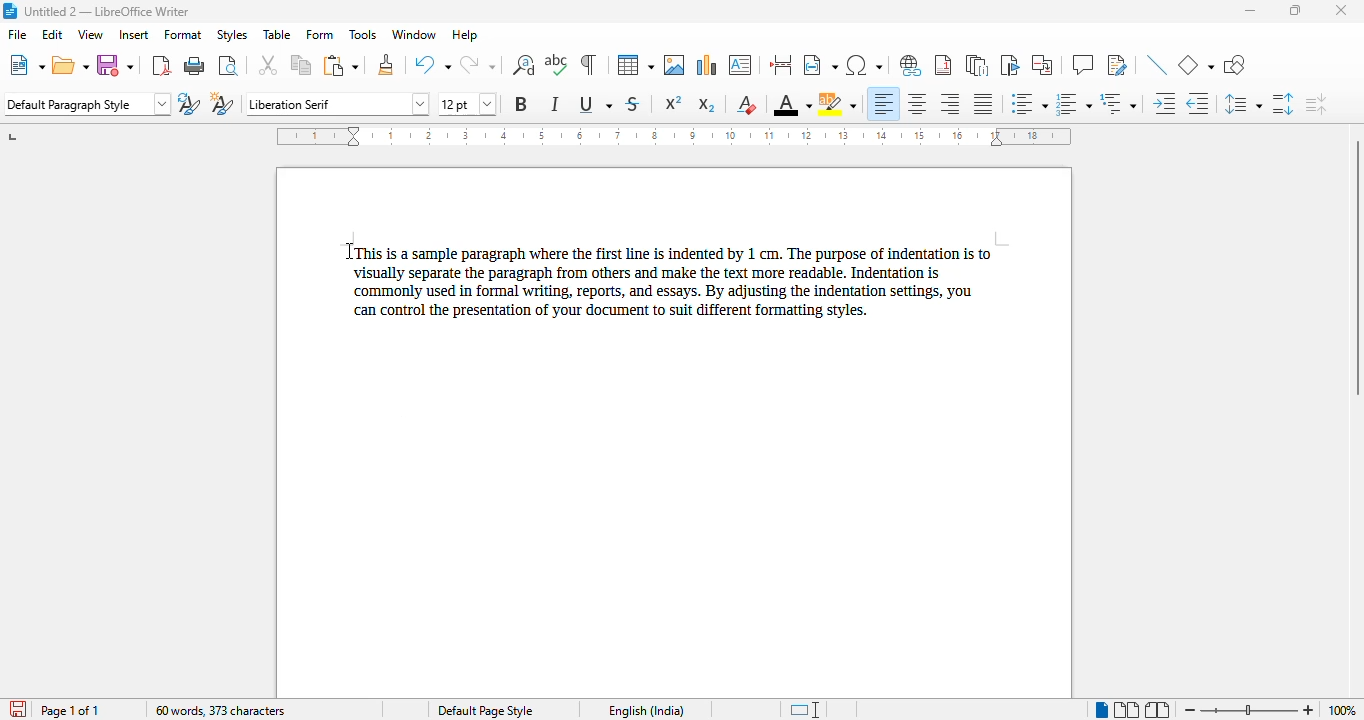 This screenshot has width=1364, height=720. I want to click on paste, so click(341, 66).